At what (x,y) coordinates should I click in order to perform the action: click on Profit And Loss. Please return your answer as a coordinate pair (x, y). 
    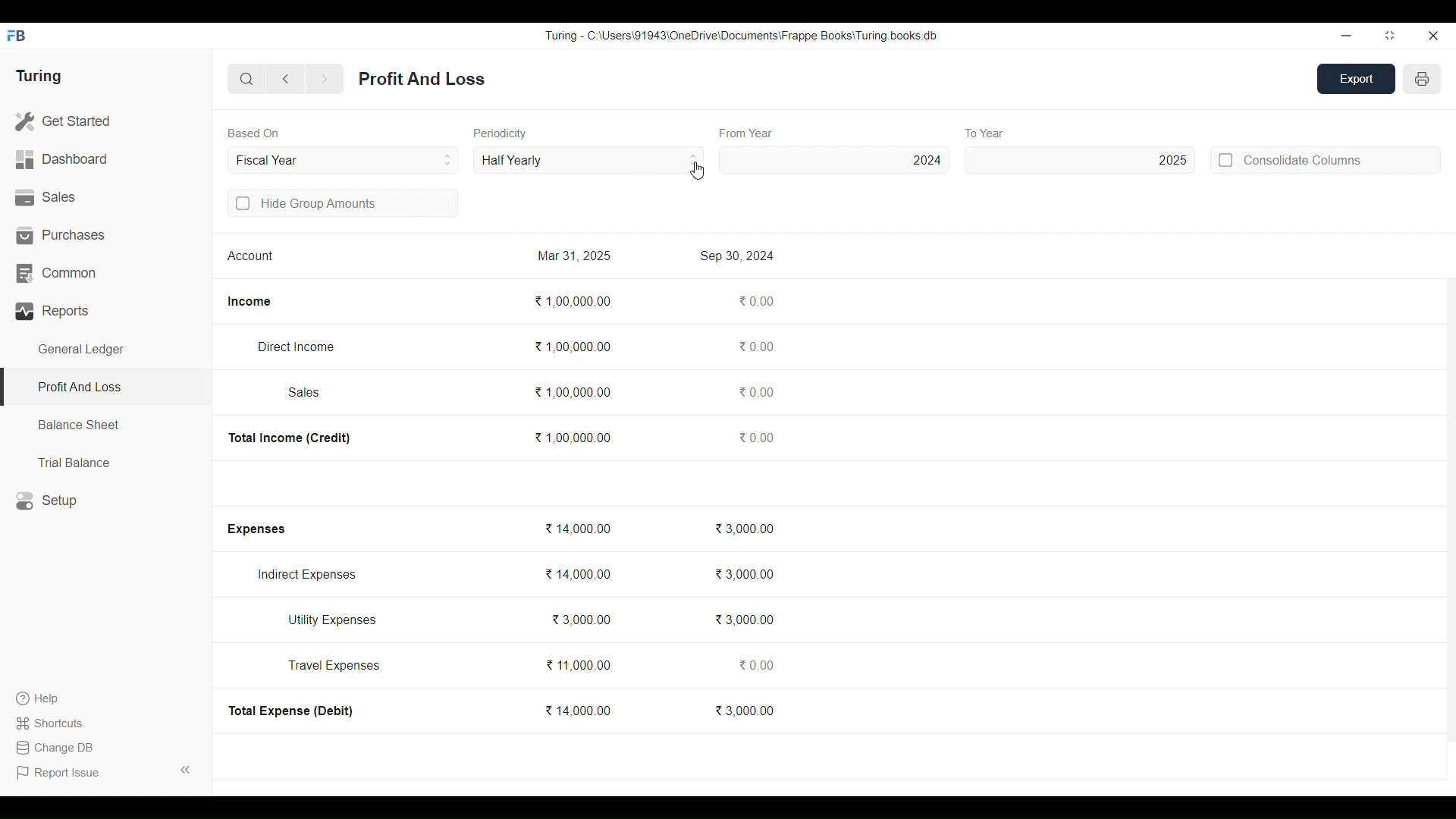
    Looking at the image, I should click on (105, 388).